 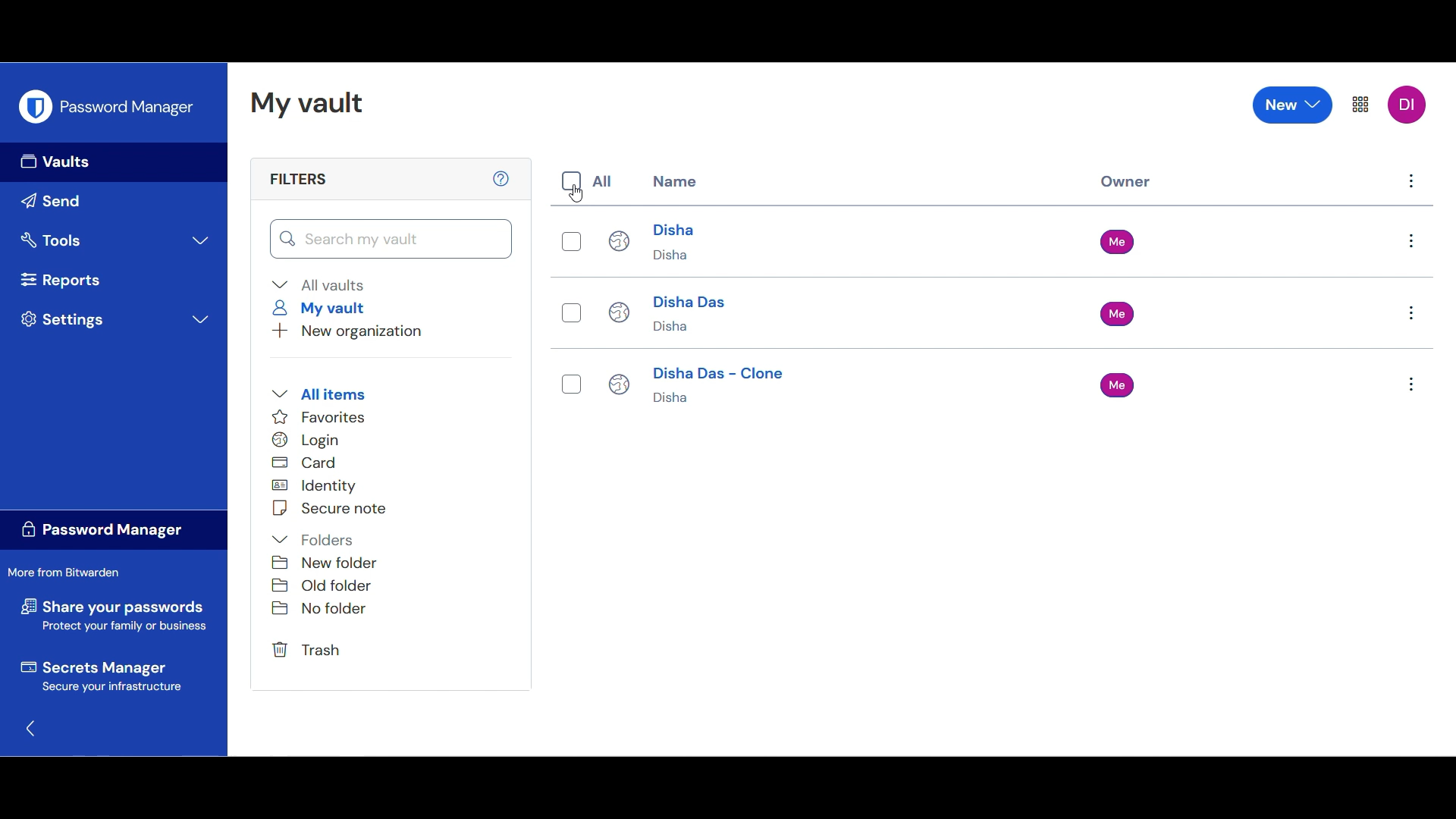 I want to click on Password manager, so click(x=113, y=531).